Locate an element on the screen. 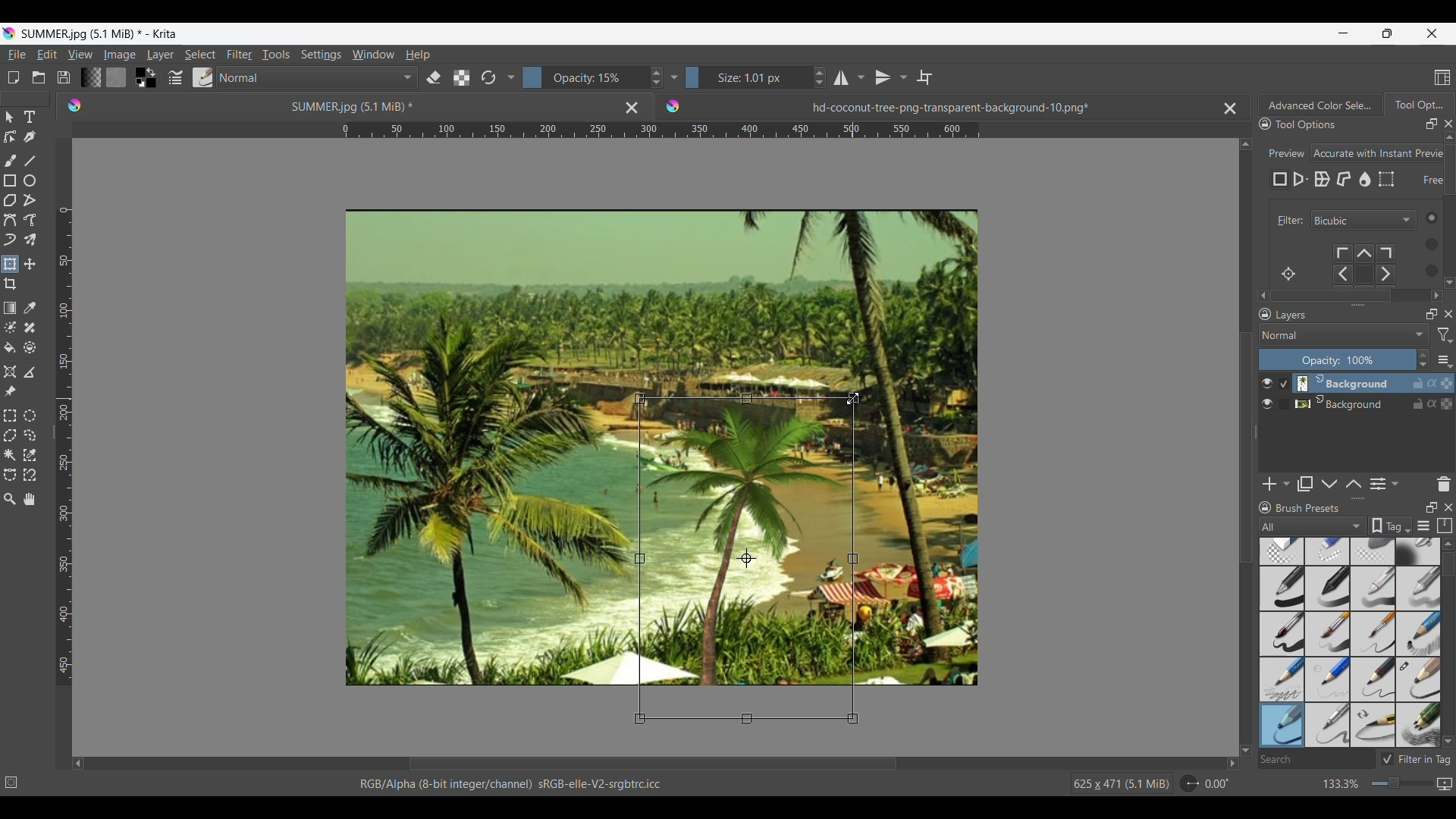 Image resolution: width=1456 pixels, height=819 pixels. Float layers panel is located at coordinates (1432, 314).